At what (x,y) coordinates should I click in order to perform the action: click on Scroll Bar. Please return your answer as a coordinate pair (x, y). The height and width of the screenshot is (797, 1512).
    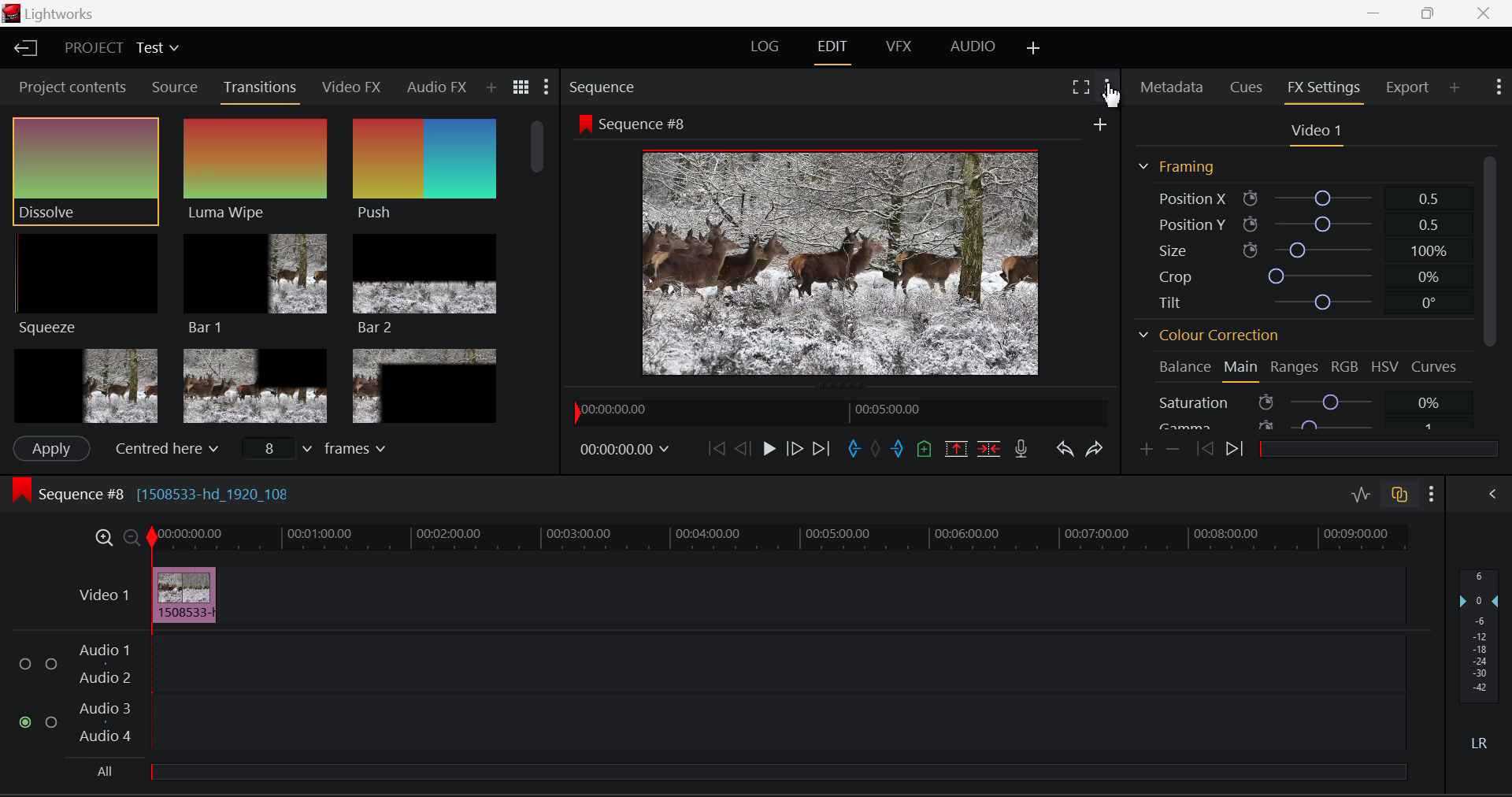
    Looking at the image, I should click on (540, 268).